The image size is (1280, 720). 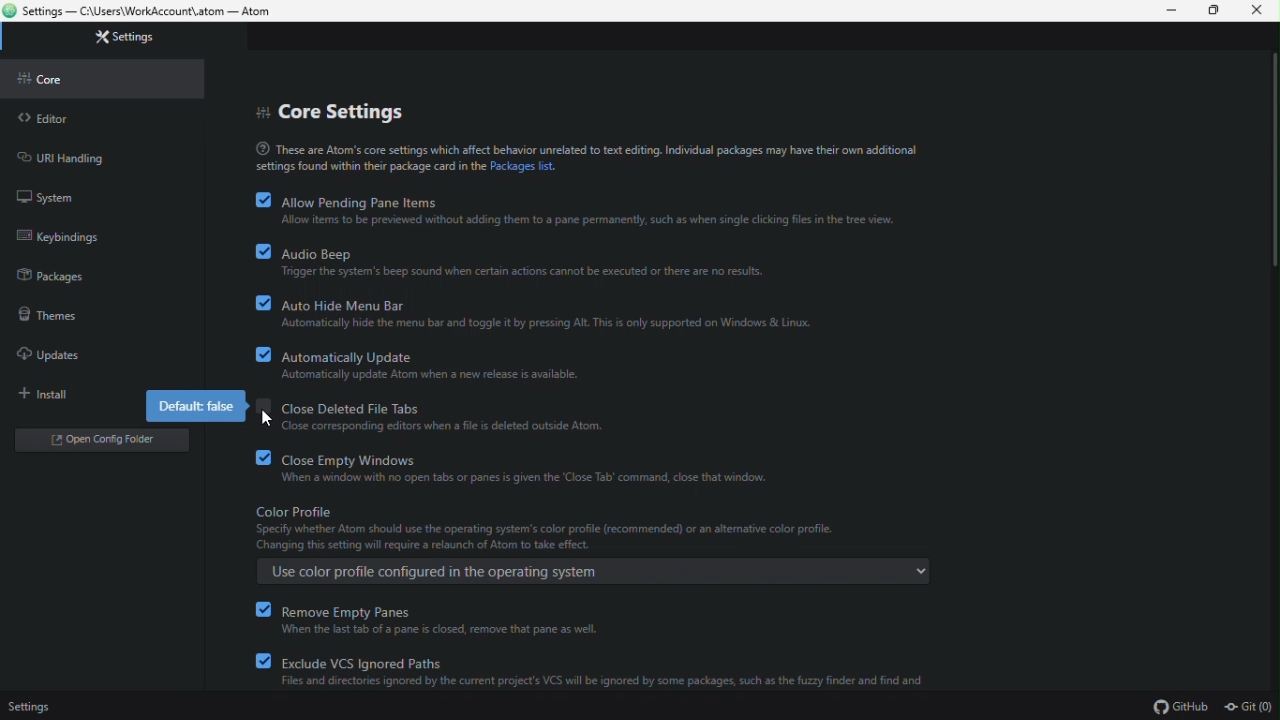 What do you see at coordinates (60, 160) in the screenshot?
I see `URL handling` at bounding box center [60, 160].